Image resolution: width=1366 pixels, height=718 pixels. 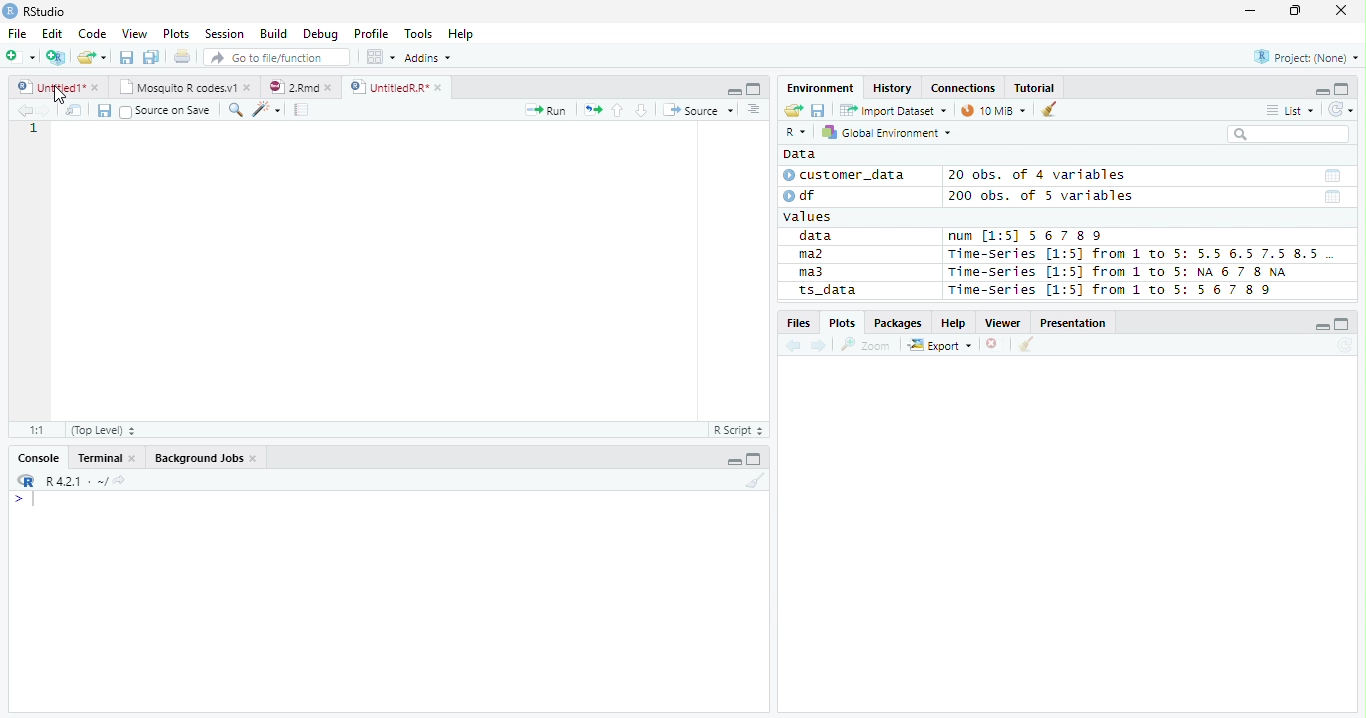 I want to click on Maximize, so click(x=756, y=460).